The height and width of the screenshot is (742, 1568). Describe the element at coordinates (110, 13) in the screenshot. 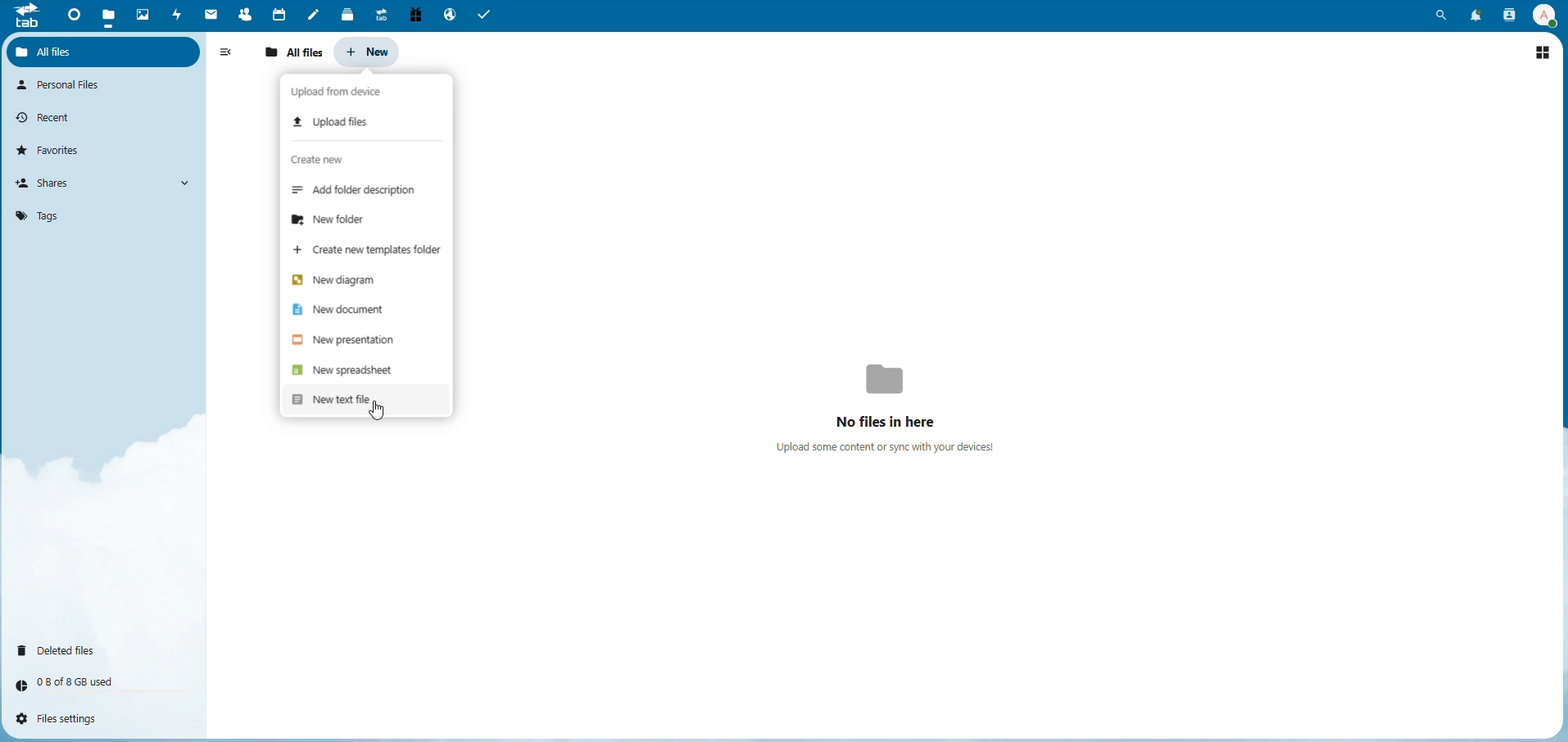

I see `file` at that location.